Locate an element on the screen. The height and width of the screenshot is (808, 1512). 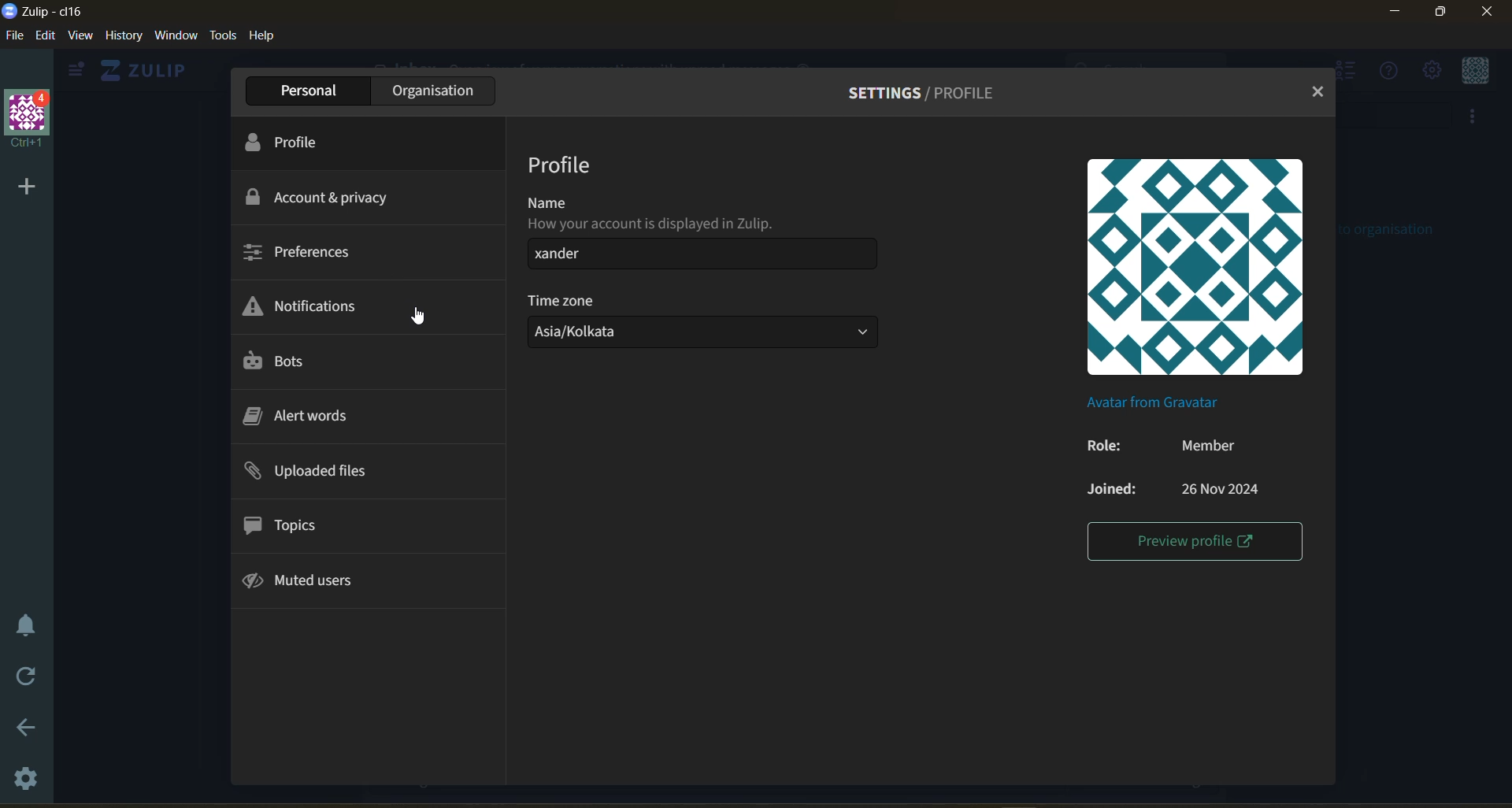
Mouse Cursor is located at coordinates (421, 317).